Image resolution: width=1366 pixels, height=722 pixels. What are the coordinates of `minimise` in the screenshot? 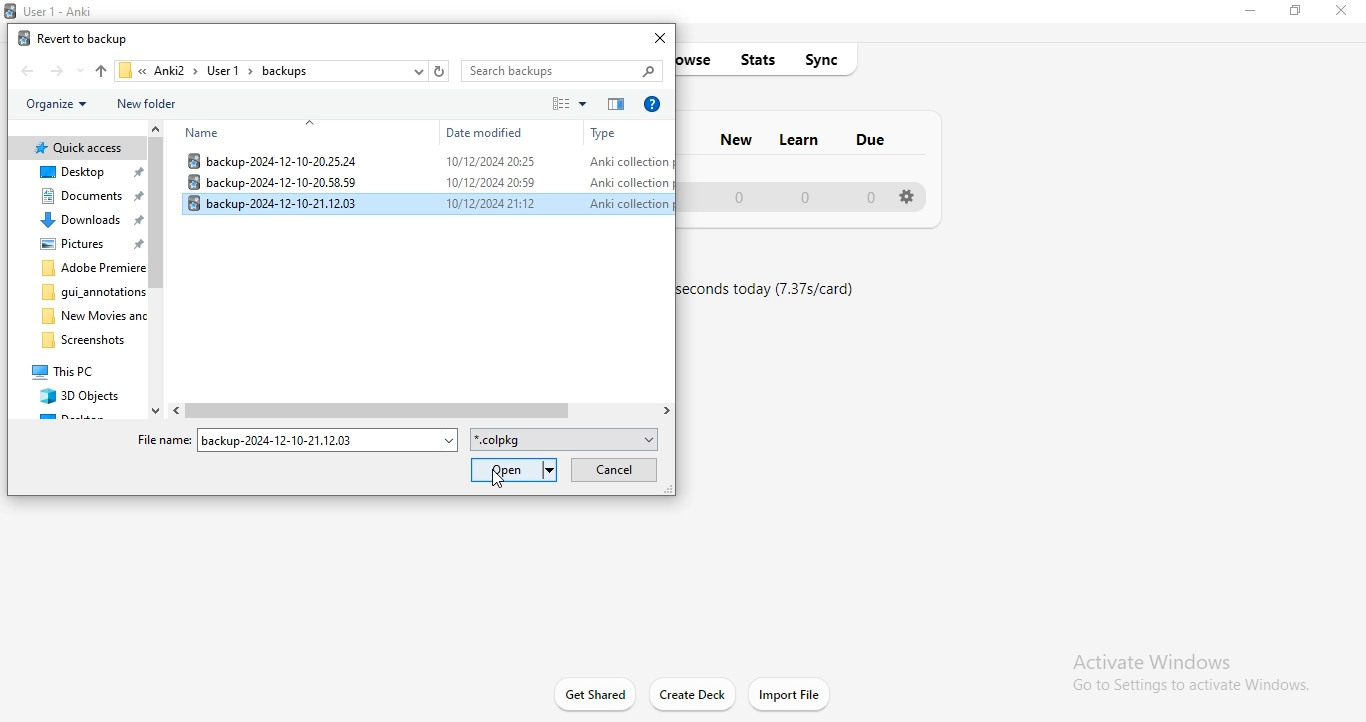 It's located at (1248, 13).